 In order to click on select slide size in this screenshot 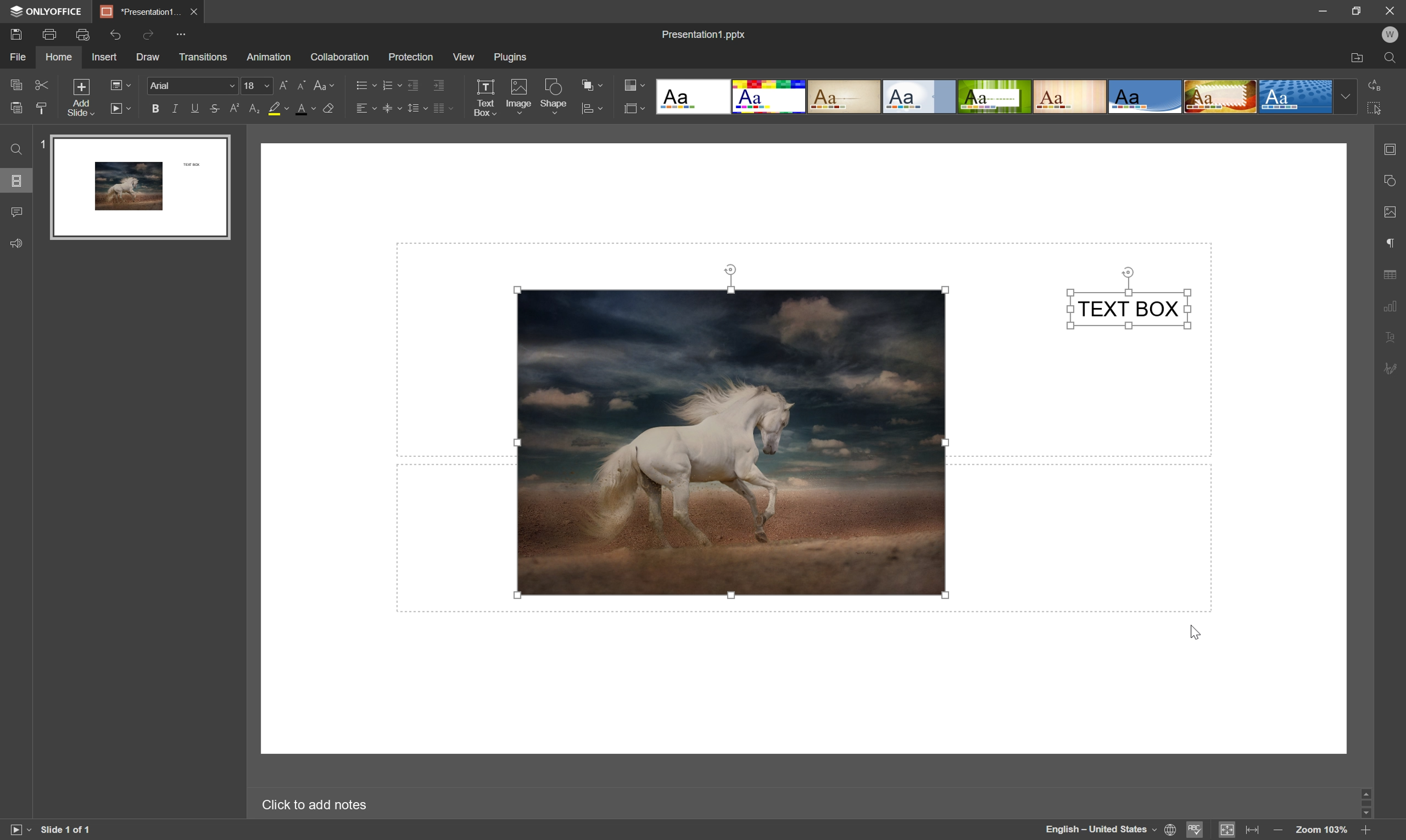, I will do `click(635, 109)`.